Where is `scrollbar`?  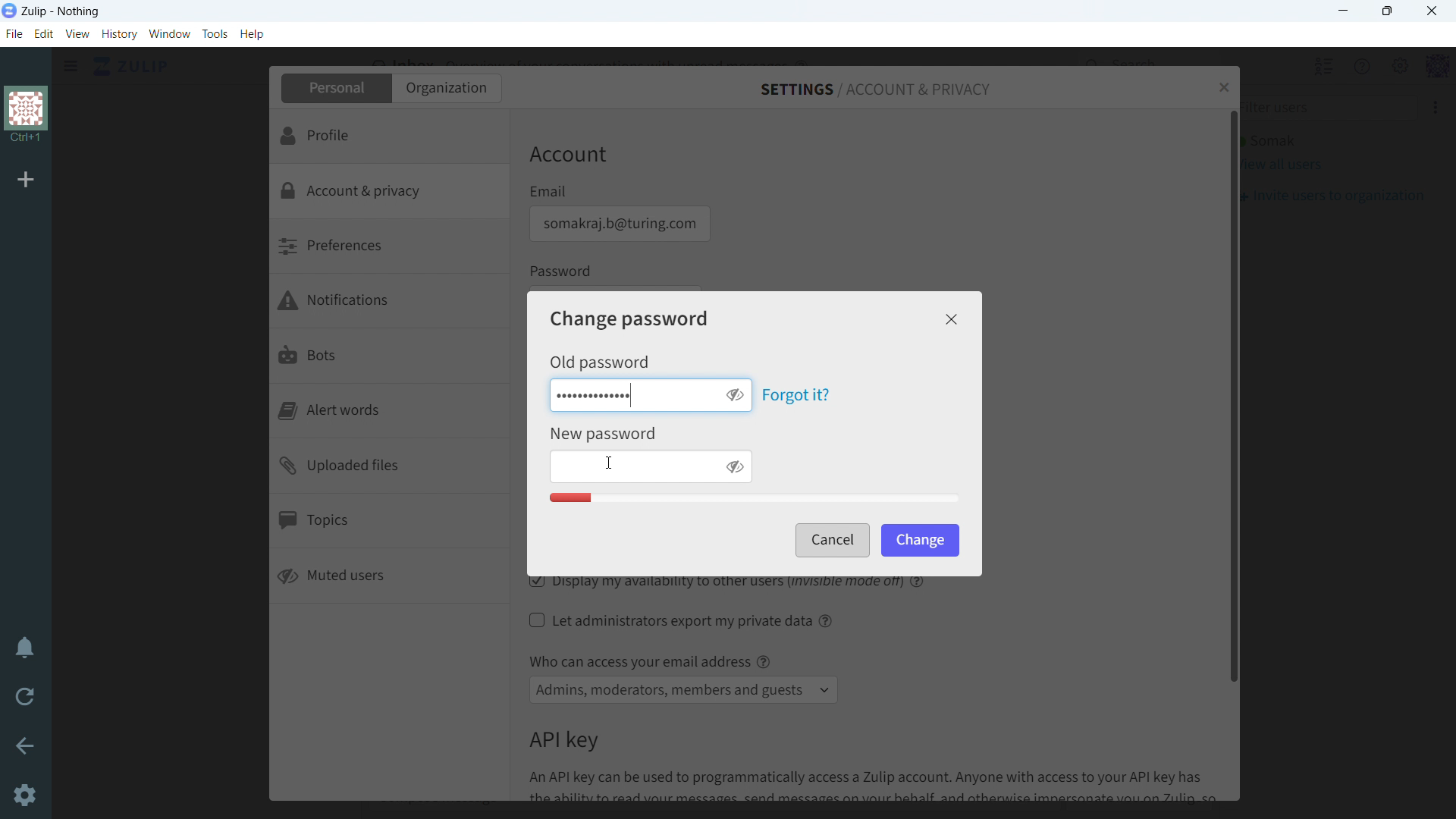
scrollbar is located at coordinates (1235, 394).